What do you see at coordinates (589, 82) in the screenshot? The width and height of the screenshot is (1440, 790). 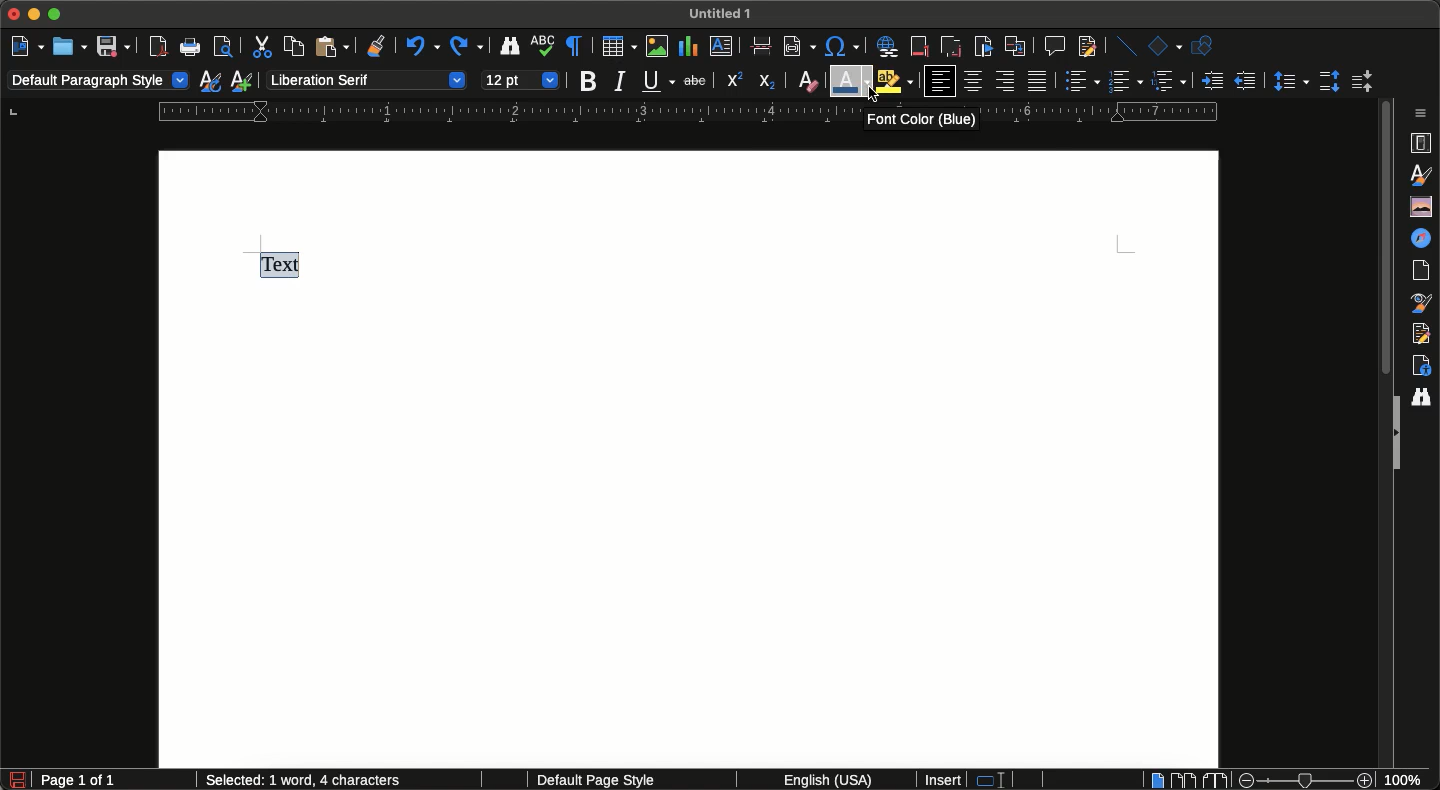 I see `Bold` at bounding box center [589, 82].